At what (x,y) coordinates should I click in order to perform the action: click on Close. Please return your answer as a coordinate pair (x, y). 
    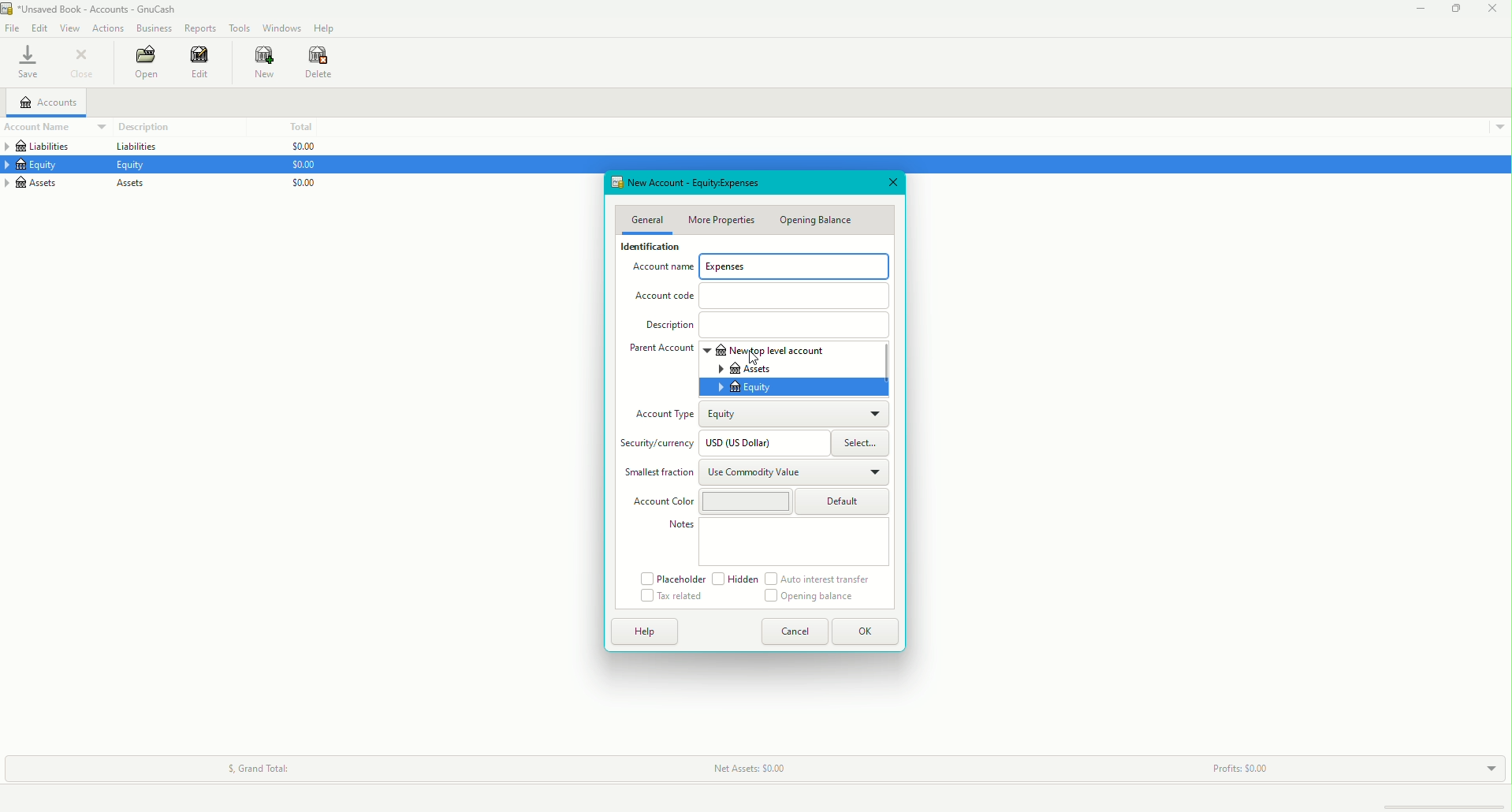
    Looking at the image, I should click on (1494, 10).